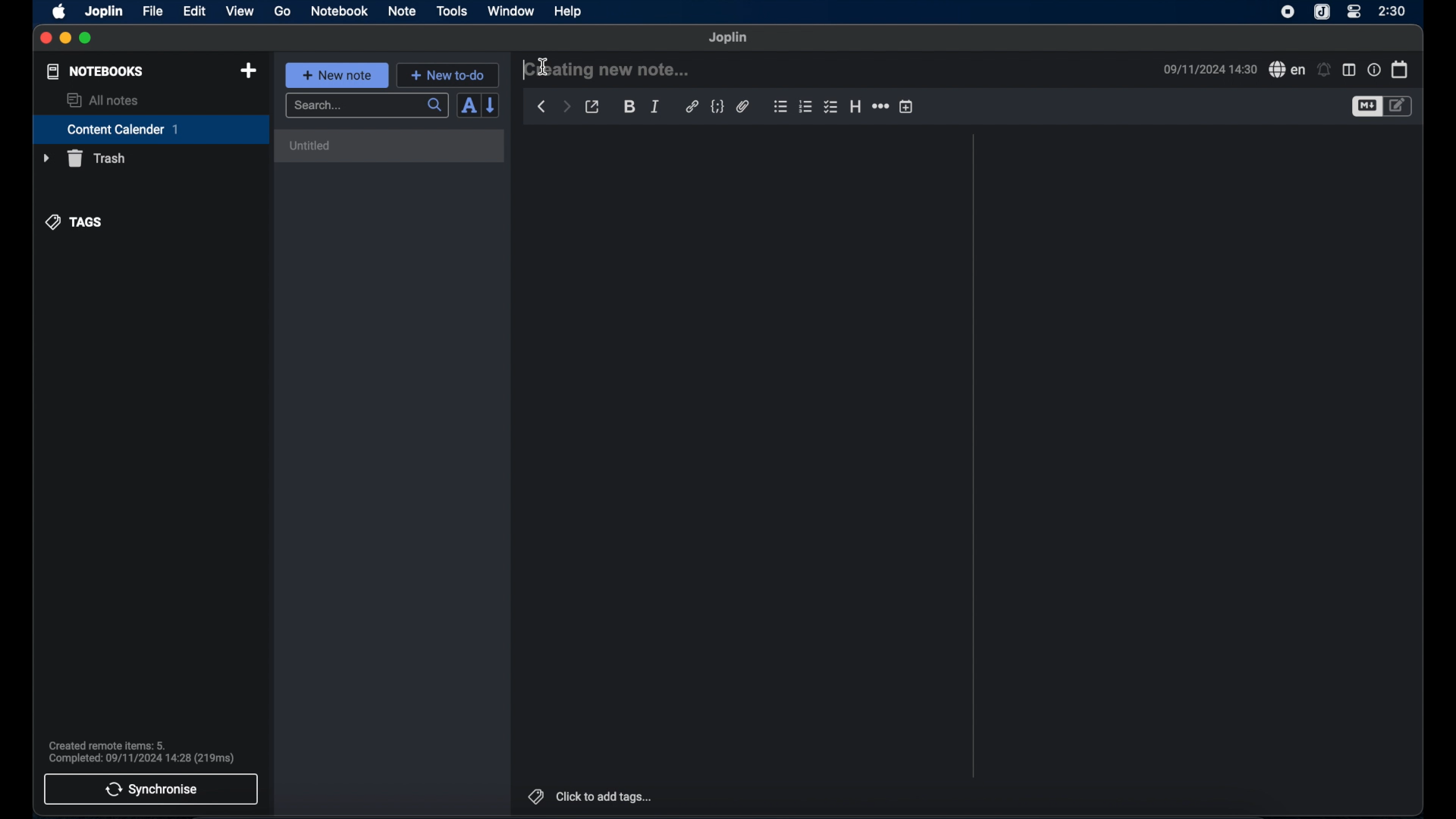 The height and width of the screenshot is (819, 1456). What do you see at coordinates (1392, 11) in the screenshot?
I see `2:30(time)` at bounding box center [1392, 11].